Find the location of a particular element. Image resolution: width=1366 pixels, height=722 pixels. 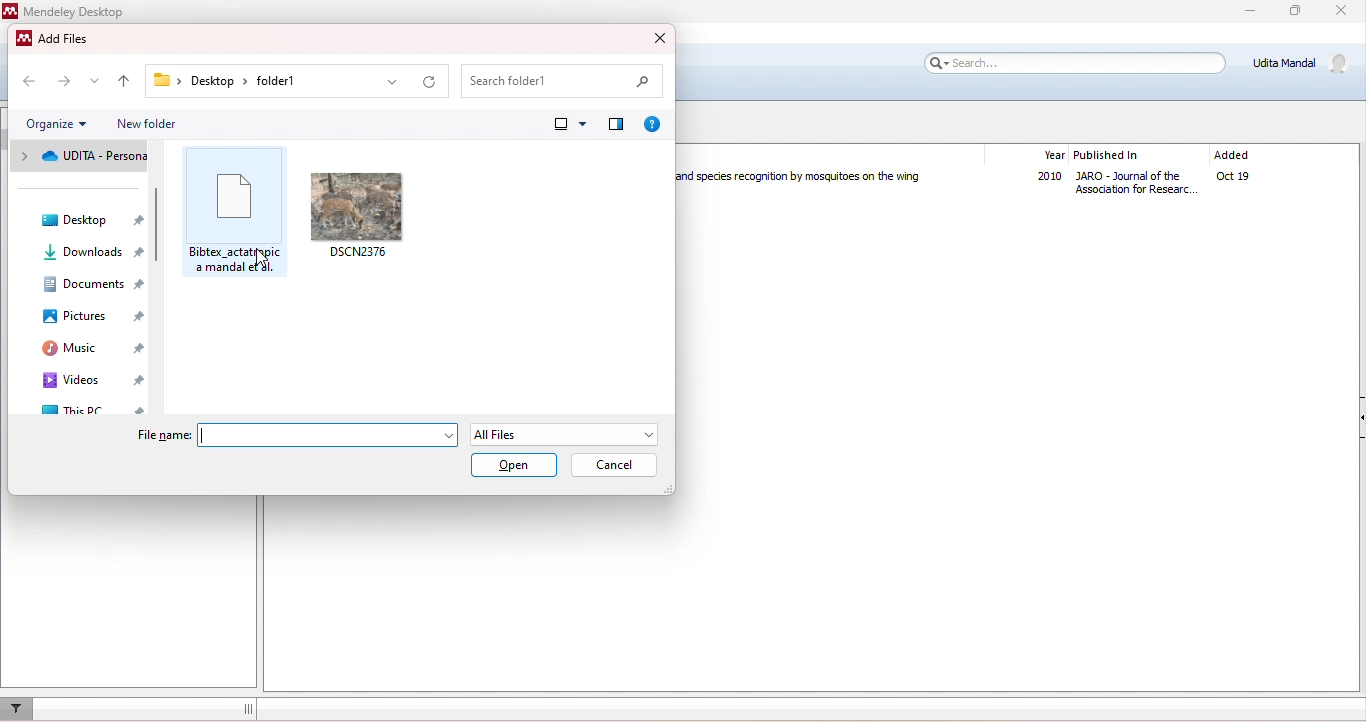

documents is located at coordinates (94, 286).